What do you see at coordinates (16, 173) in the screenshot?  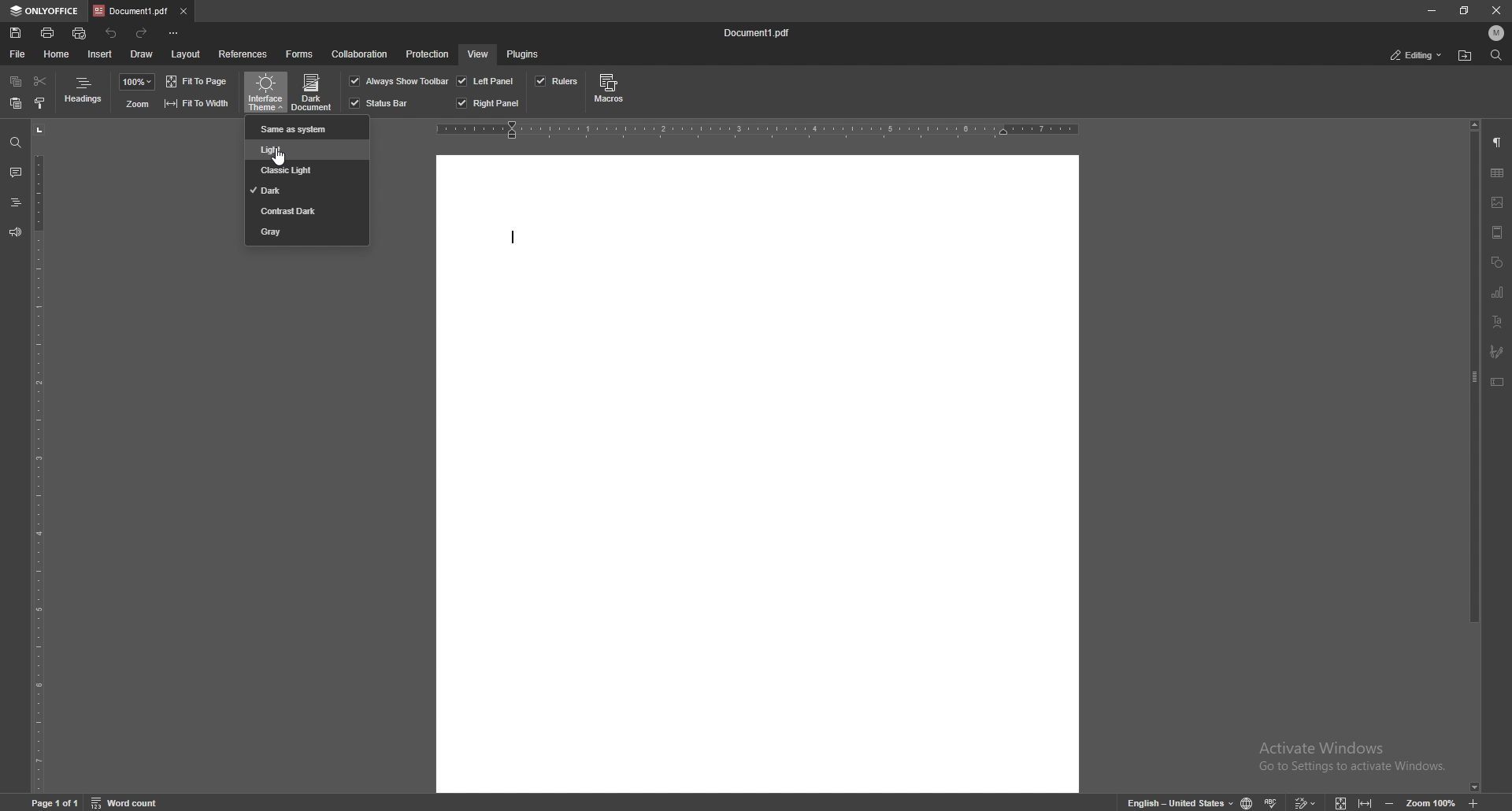 I see `comment` at bounding box center [16, 173].